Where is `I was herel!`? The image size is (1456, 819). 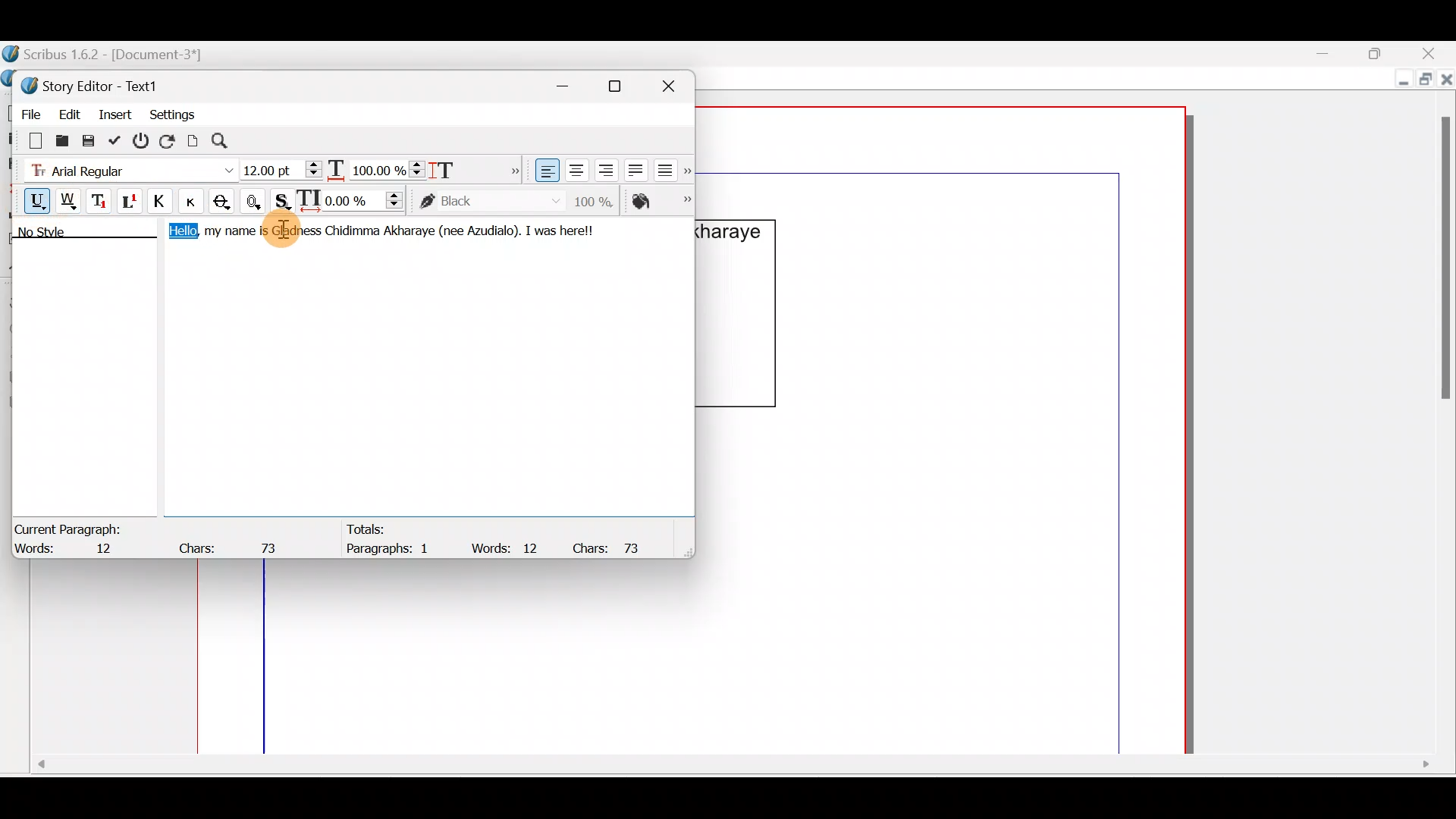 I was herel! is located at coordinates (563, 229).